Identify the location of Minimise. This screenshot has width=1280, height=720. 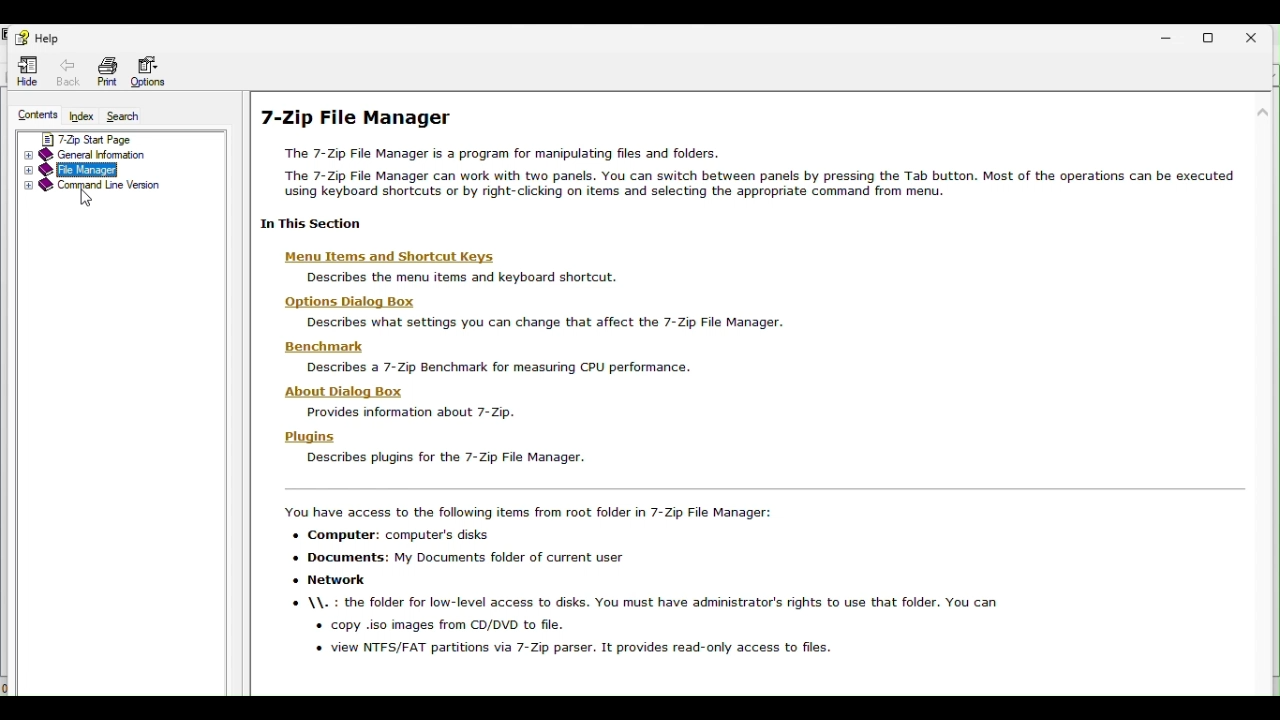
(1171, 35).